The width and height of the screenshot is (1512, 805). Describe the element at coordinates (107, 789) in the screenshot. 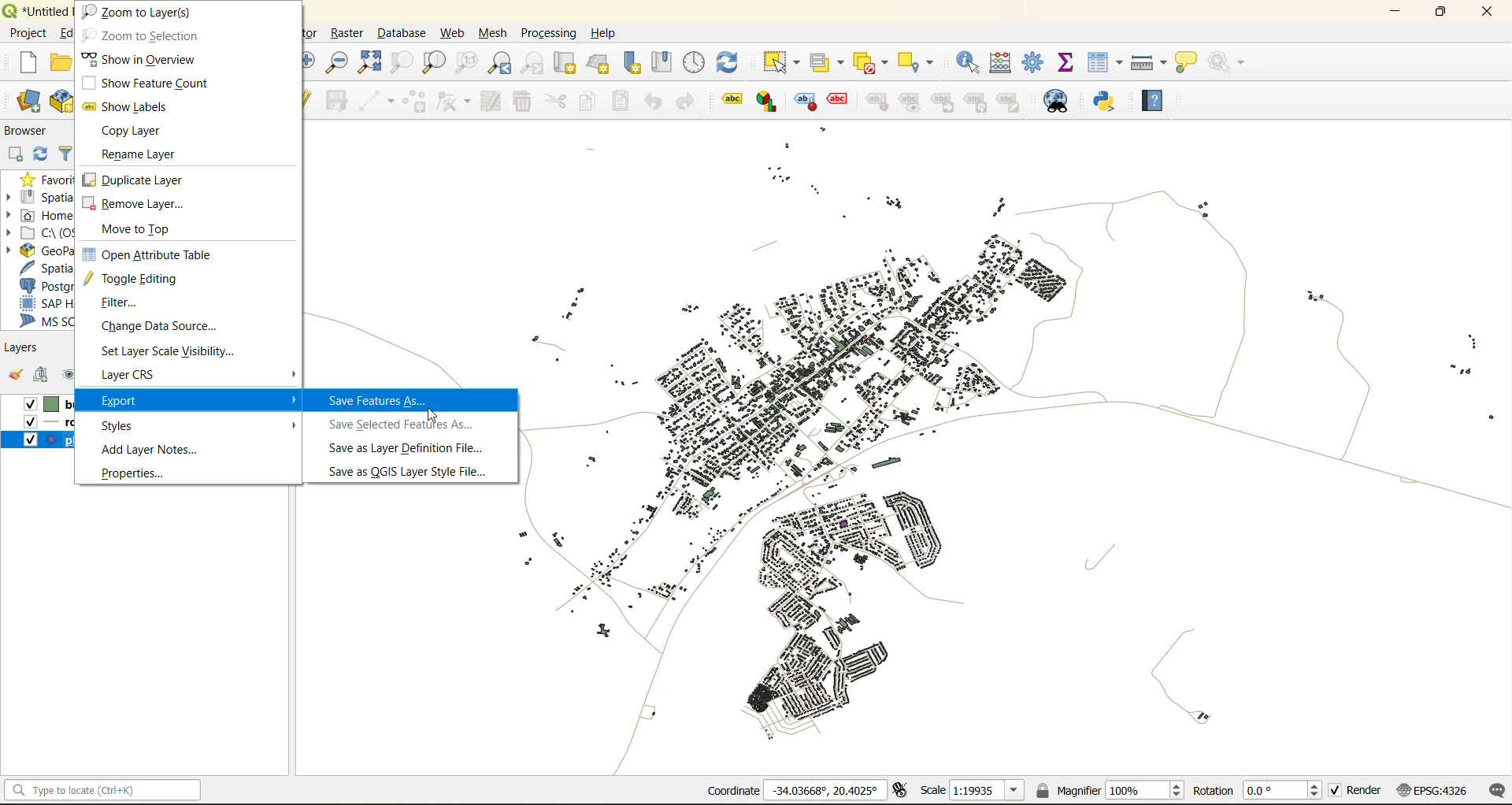

I see `statusbar` at that location.